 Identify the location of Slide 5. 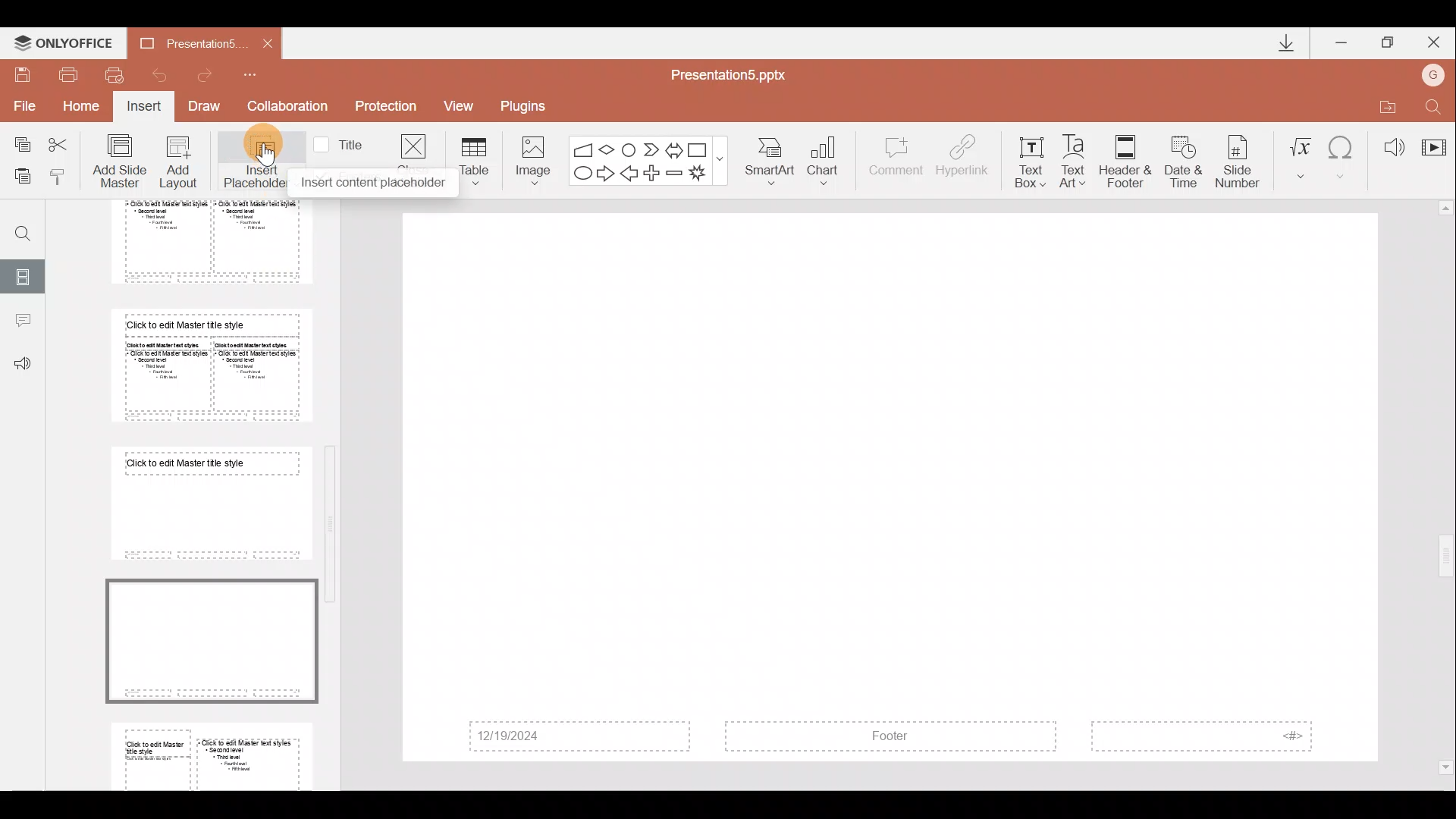
(201, 242).